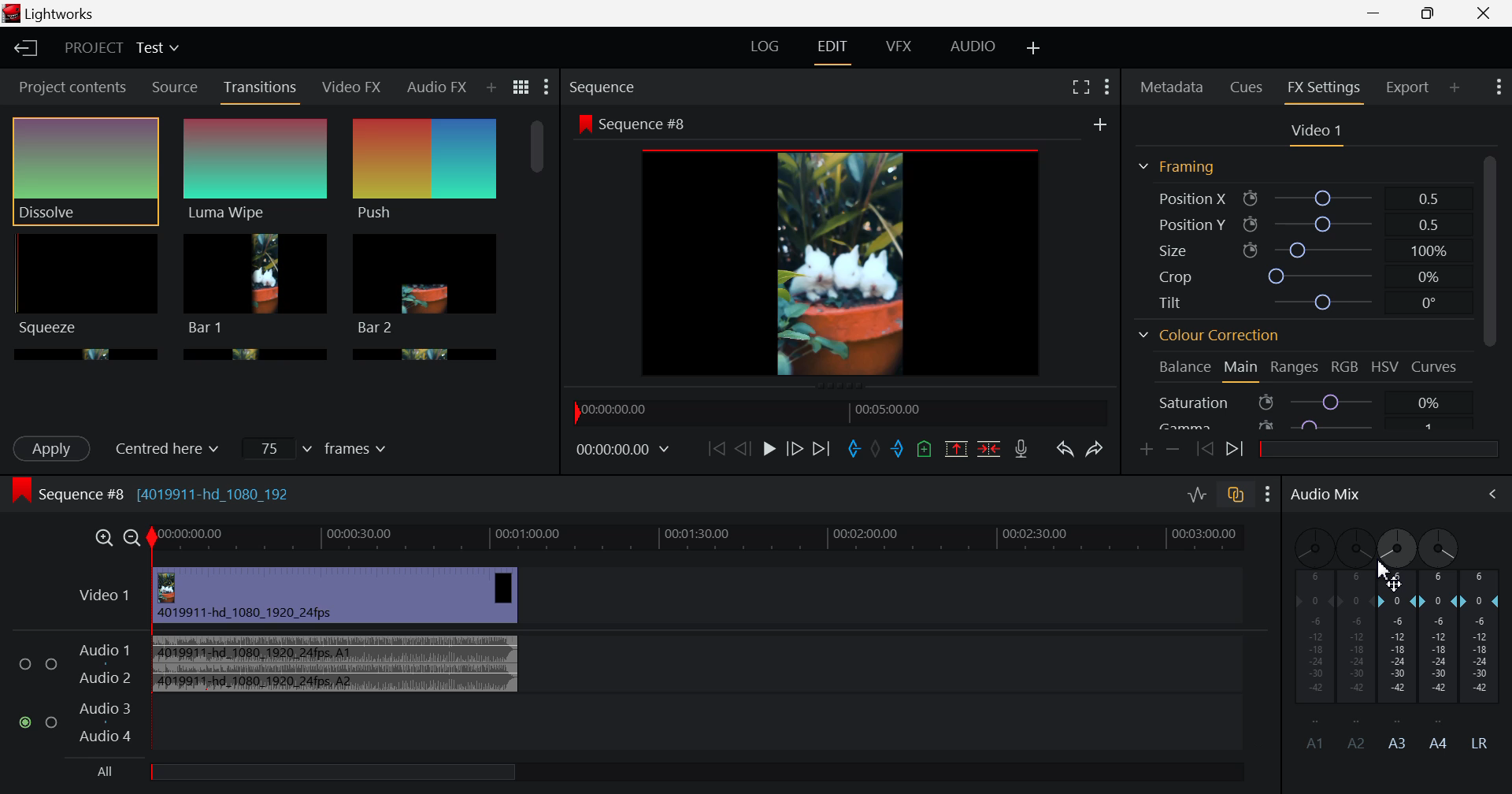 The image size is (1512, 794). What do you see at coordinates (770, 448) in the screenshot?
I see `Play` at bounding box center [770, 448].